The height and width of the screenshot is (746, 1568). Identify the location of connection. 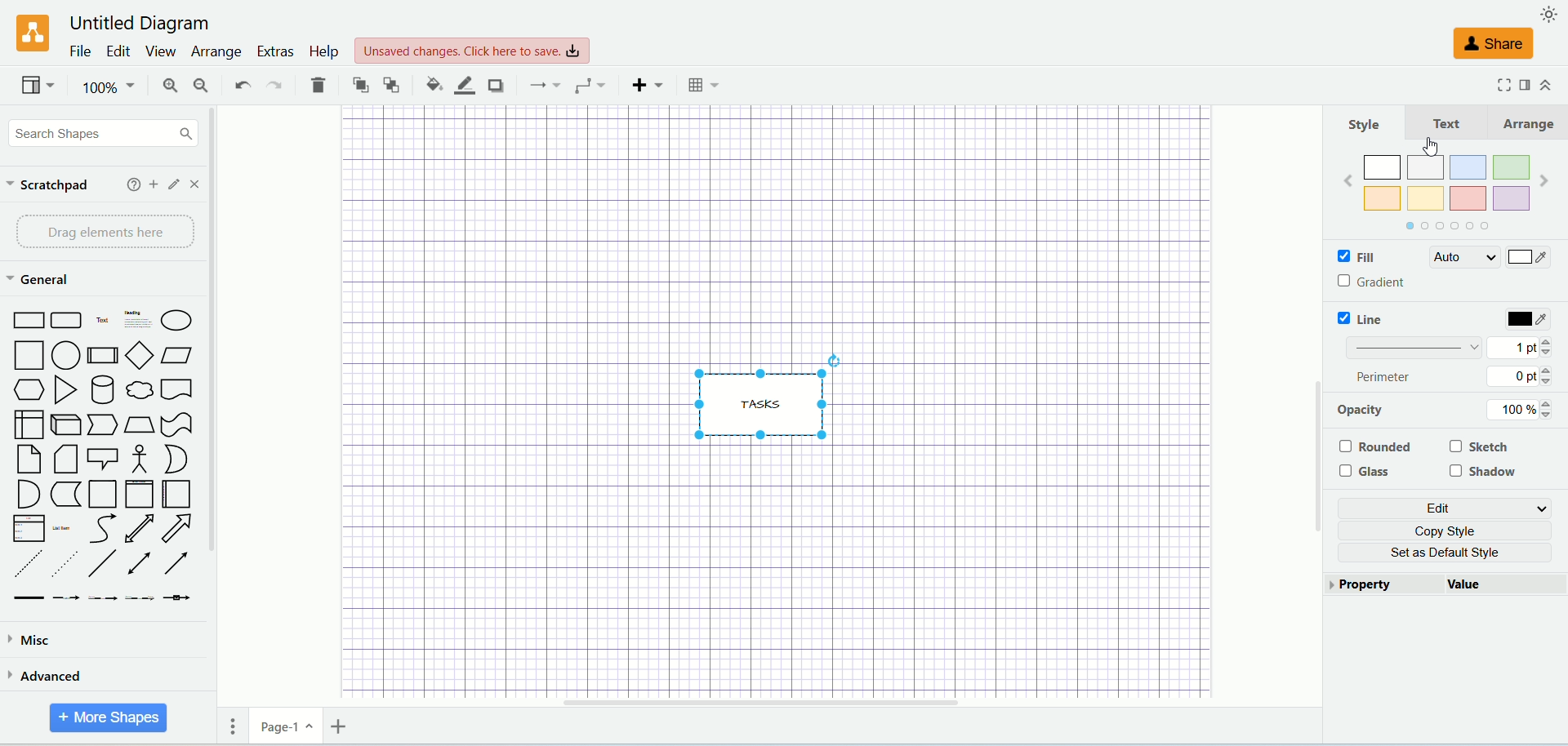
(540, 85).